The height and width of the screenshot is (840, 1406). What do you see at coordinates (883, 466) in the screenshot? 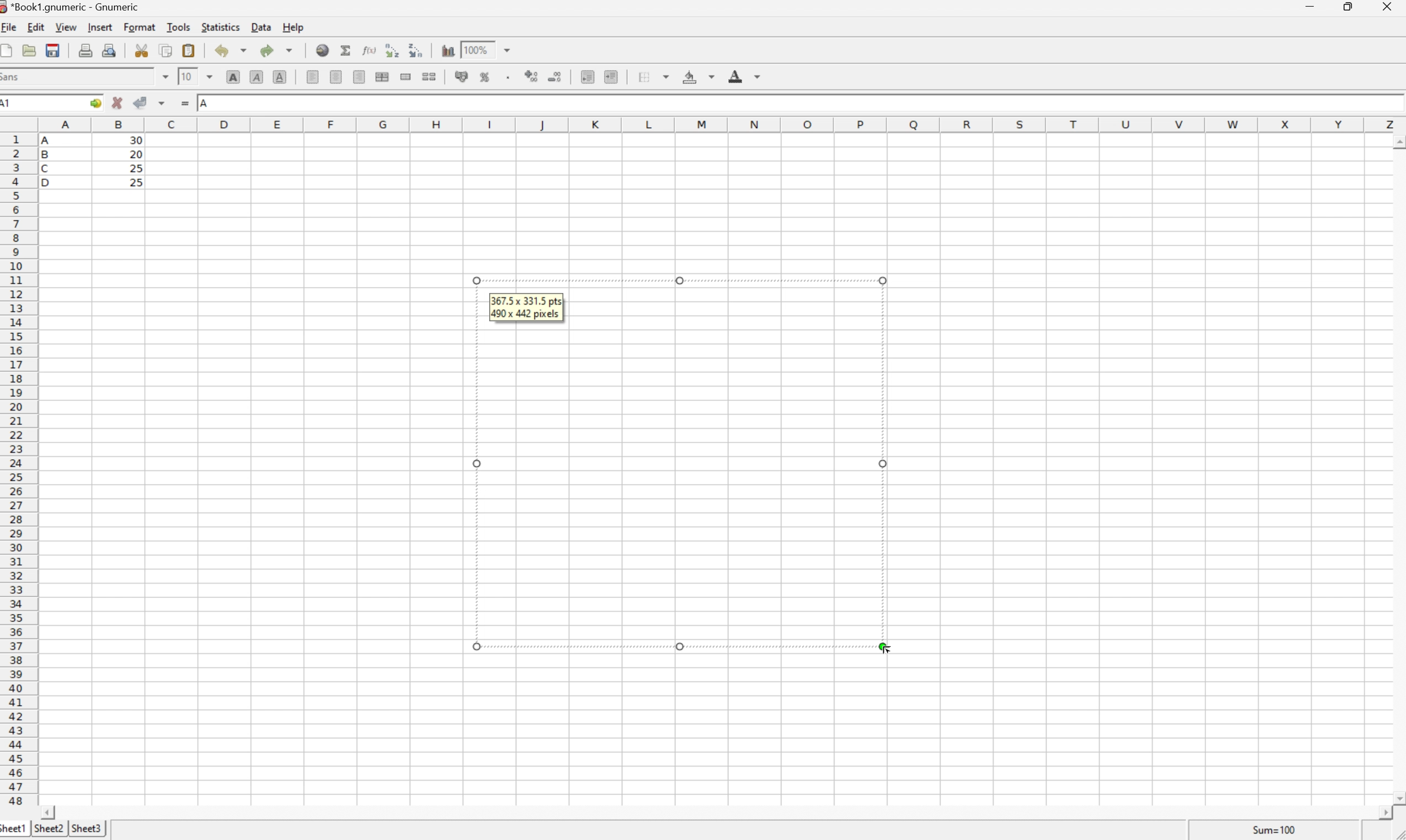
I see `` at bounding box center [883, 466].